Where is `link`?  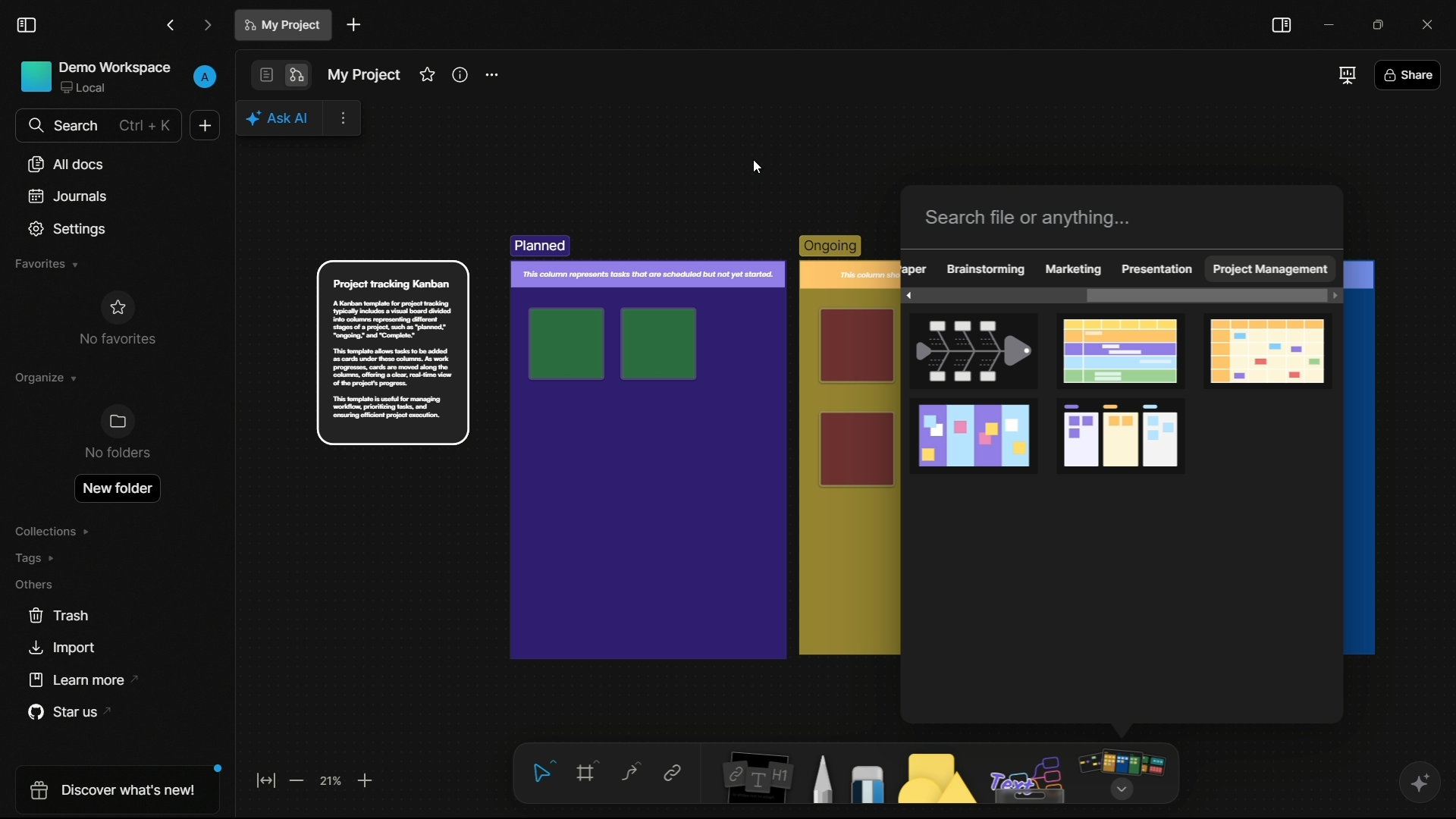 link is located at coordinates (672, 773).